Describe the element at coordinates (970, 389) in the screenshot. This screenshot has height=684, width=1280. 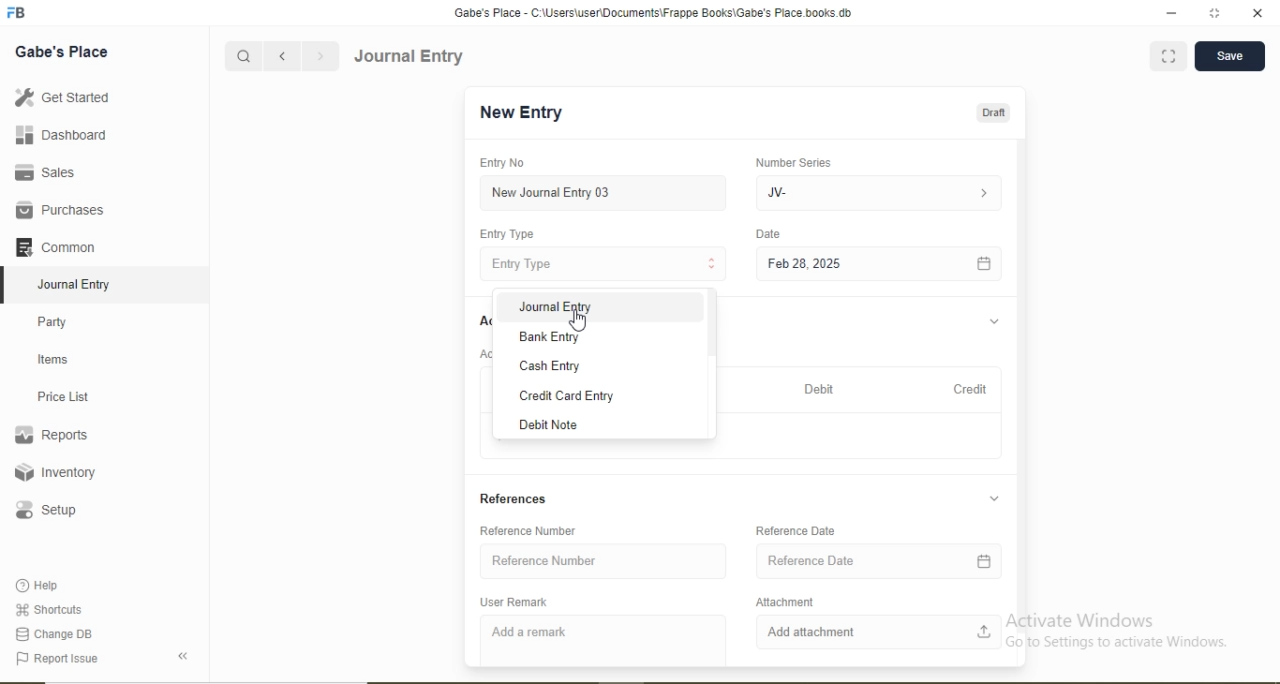
I see `Credit` at that location.